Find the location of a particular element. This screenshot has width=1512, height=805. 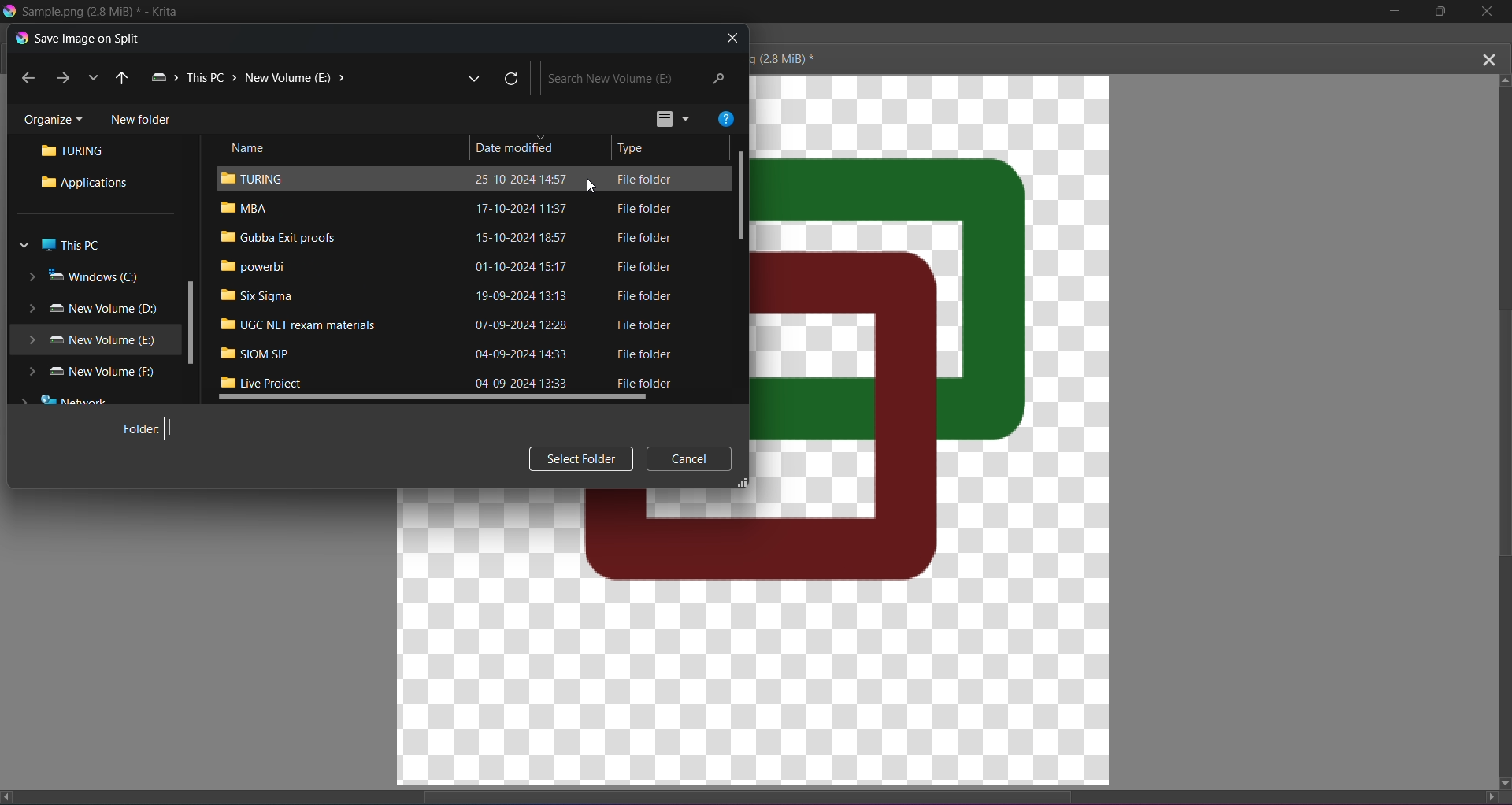

Save image on Split is located at coordinates (76, 38).